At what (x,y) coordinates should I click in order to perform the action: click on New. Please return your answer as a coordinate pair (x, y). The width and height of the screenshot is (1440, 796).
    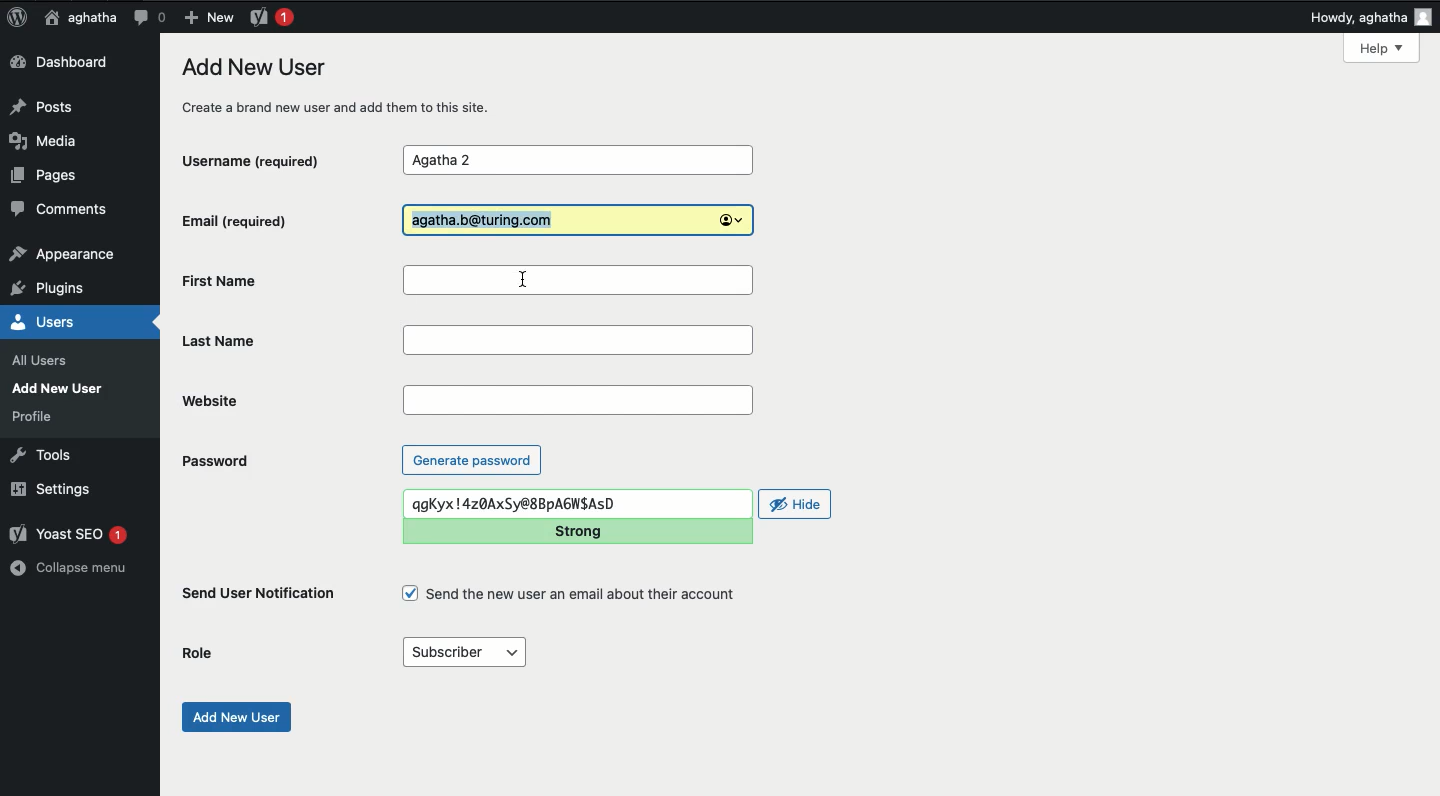
    Looking at the image, I should click on (208, 16).